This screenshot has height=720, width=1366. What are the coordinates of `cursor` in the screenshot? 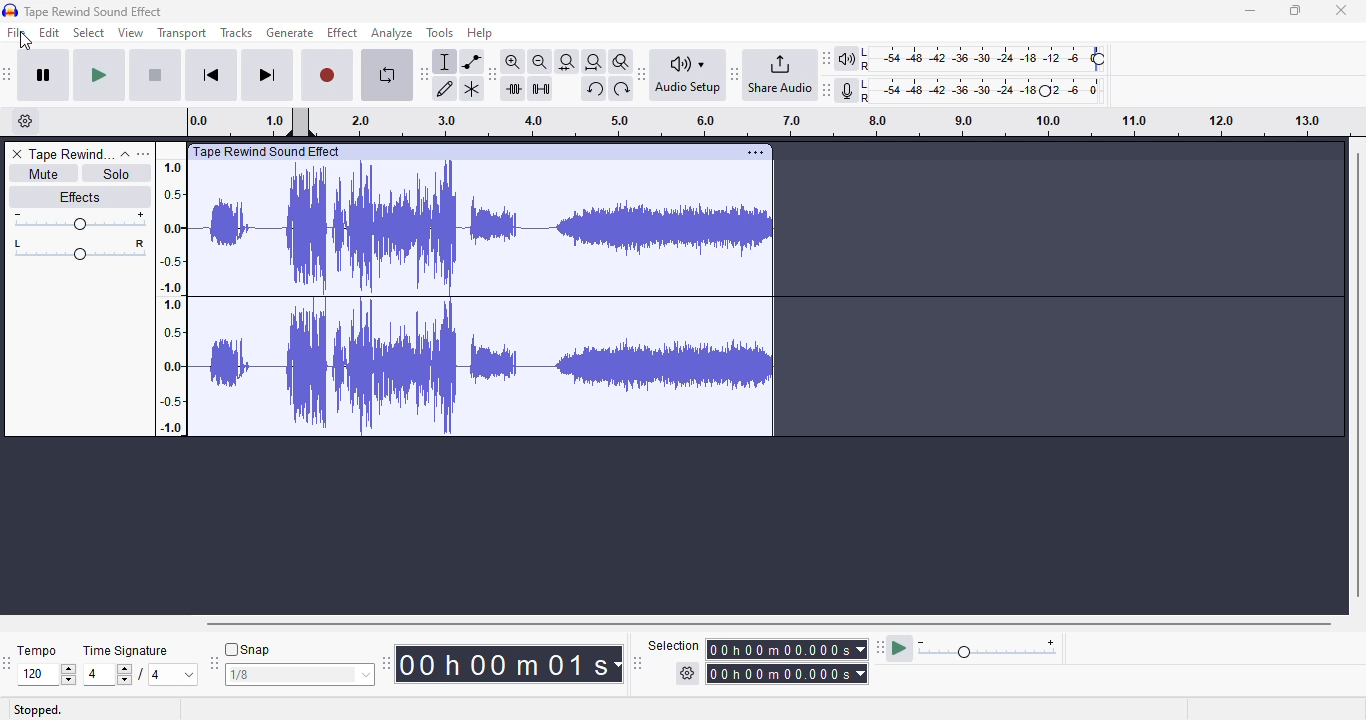 It's located at (26, 43).